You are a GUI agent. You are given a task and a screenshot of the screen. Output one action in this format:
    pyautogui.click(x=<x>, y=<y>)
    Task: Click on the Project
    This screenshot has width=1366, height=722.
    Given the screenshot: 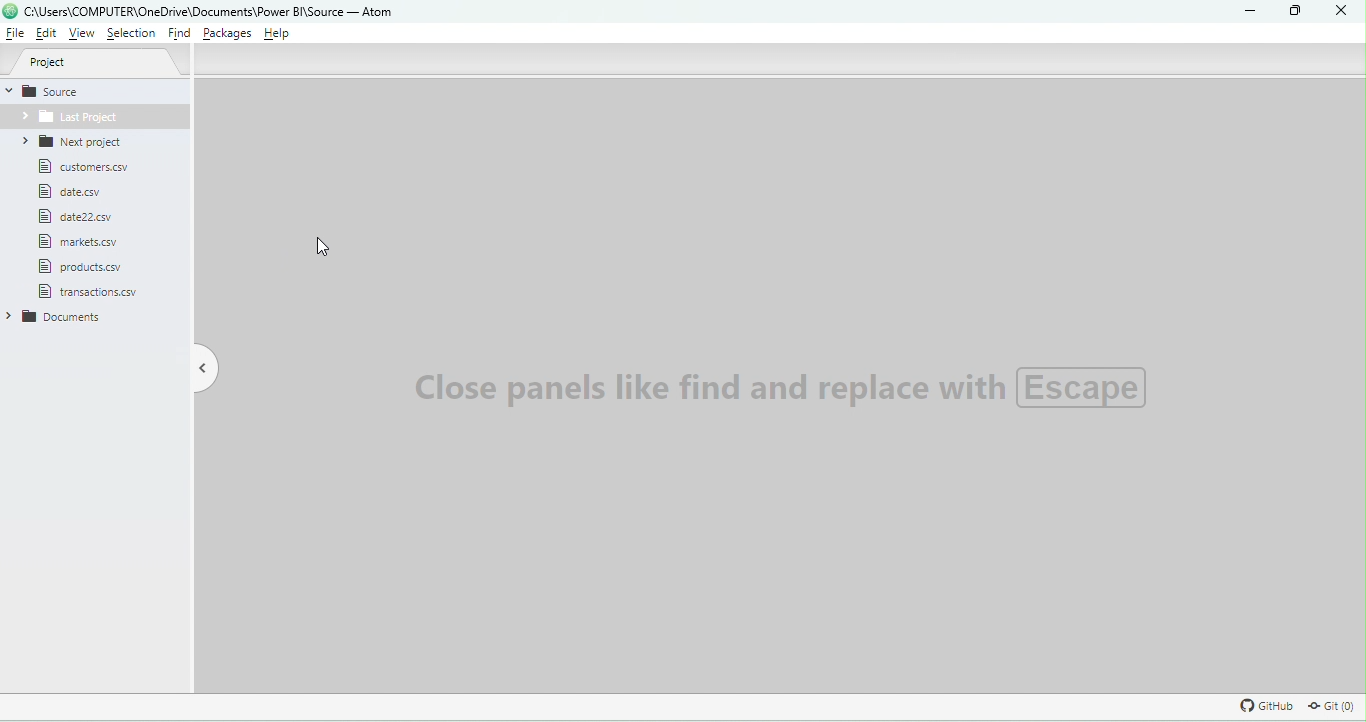 What is the action you would take?
    pyautogui.click(x=97, y=63)
    